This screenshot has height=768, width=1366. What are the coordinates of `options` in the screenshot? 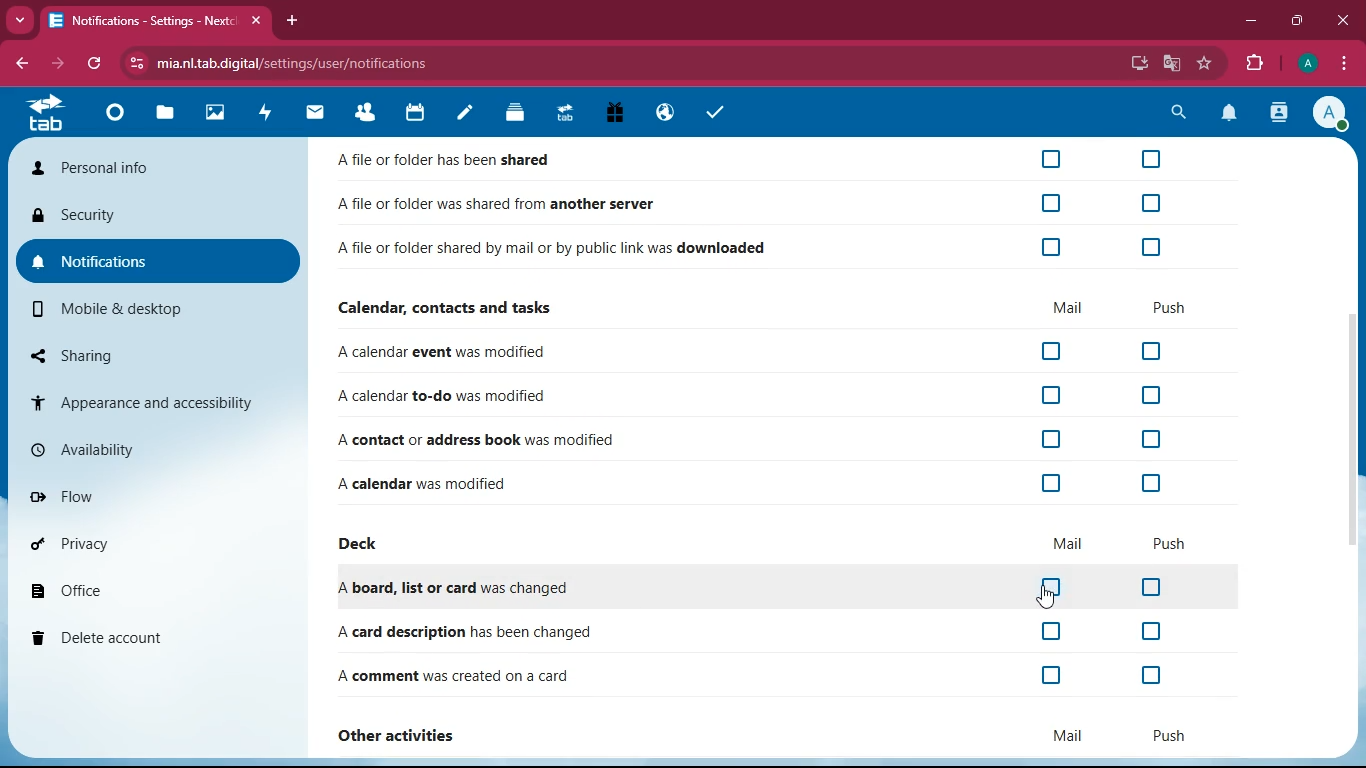 It's located at (1346, 65).